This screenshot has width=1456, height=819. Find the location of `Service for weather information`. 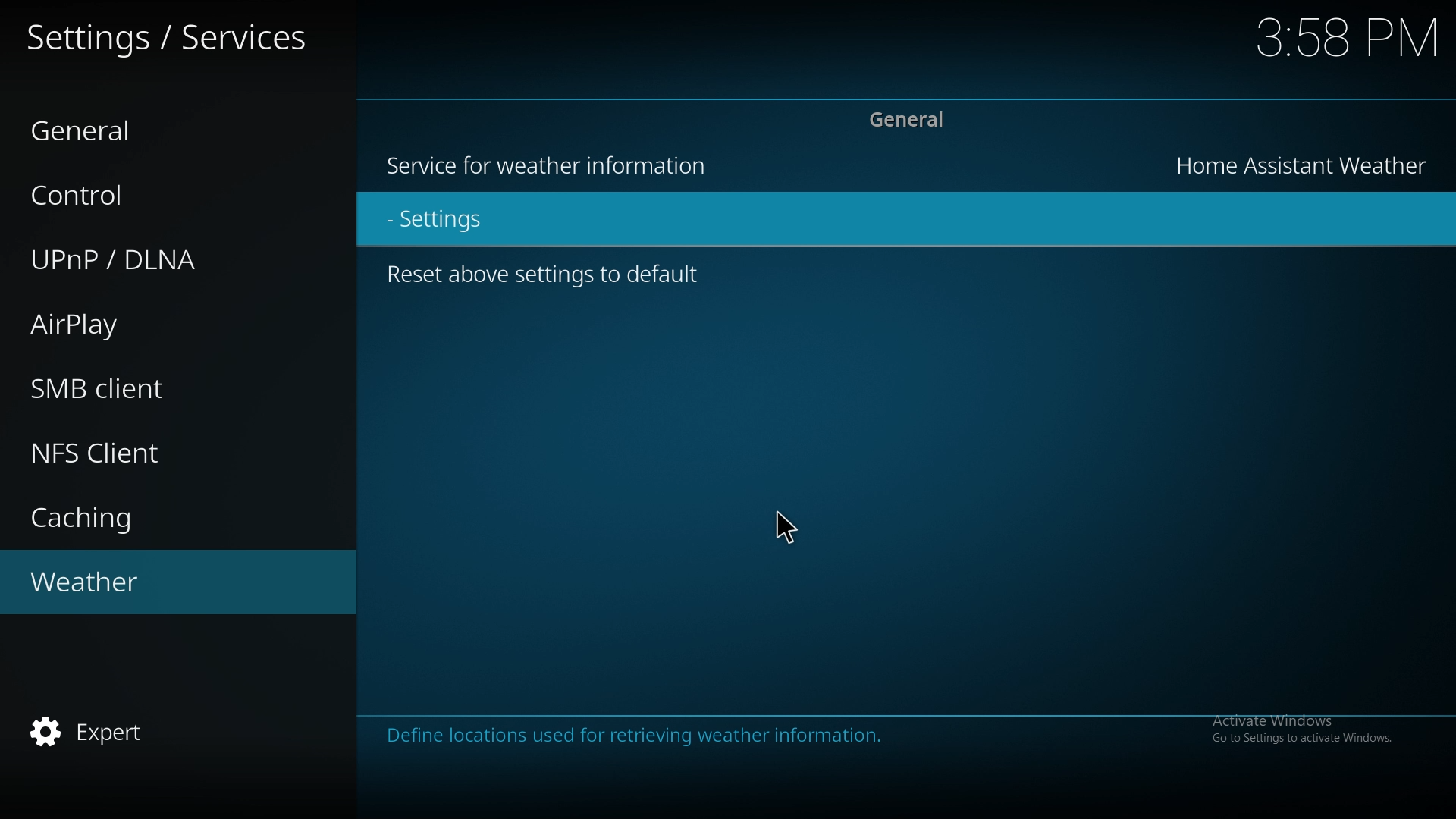

Service for weather information is located at coordinates (548, 165).